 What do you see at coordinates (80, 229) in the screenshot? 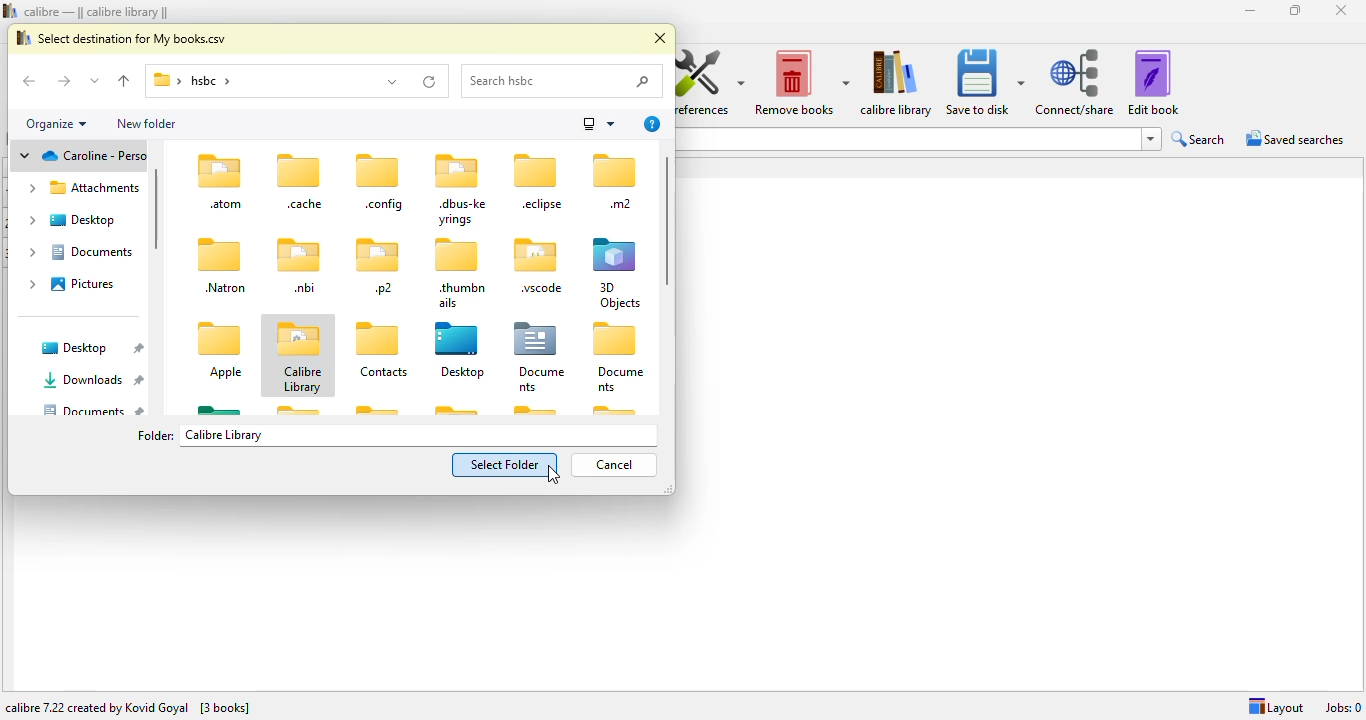
I see `folders` at bounding box center [80, 229].